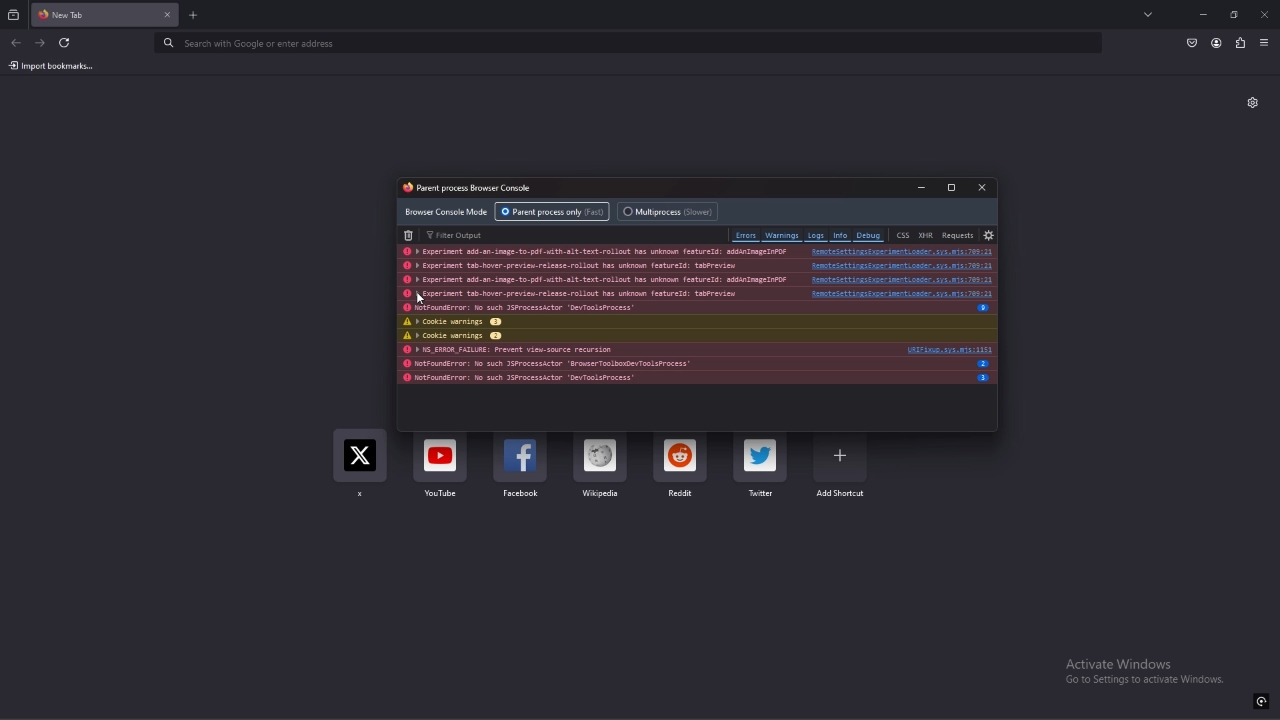 The width and height of the screenshot is (1280, 720). I want to click on log, so click(594, 252).